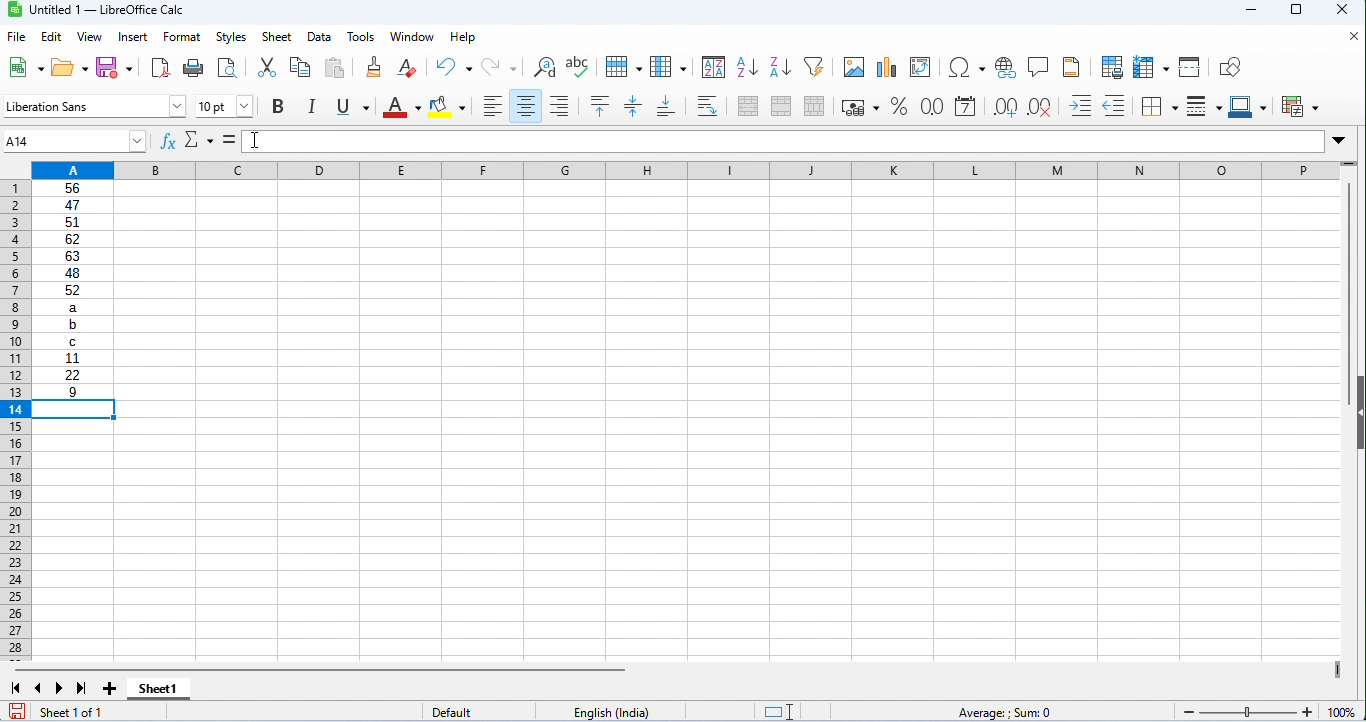 Image resolution: width=1366 pixels, height=722 pixels. What do you see at coordinates (311, 106) in the screenshot?
I see `italics` at bounding box center [311, 106].